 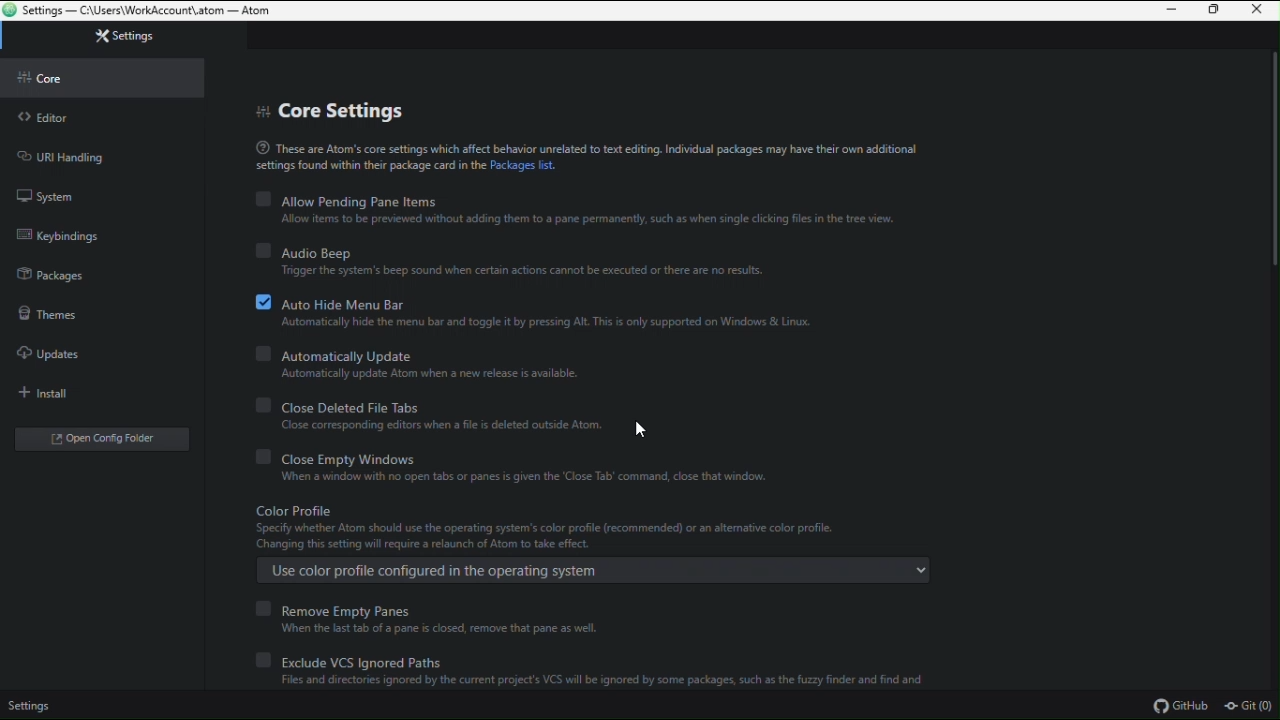 I want to click on open configeditor, so click(x=93, y=436).